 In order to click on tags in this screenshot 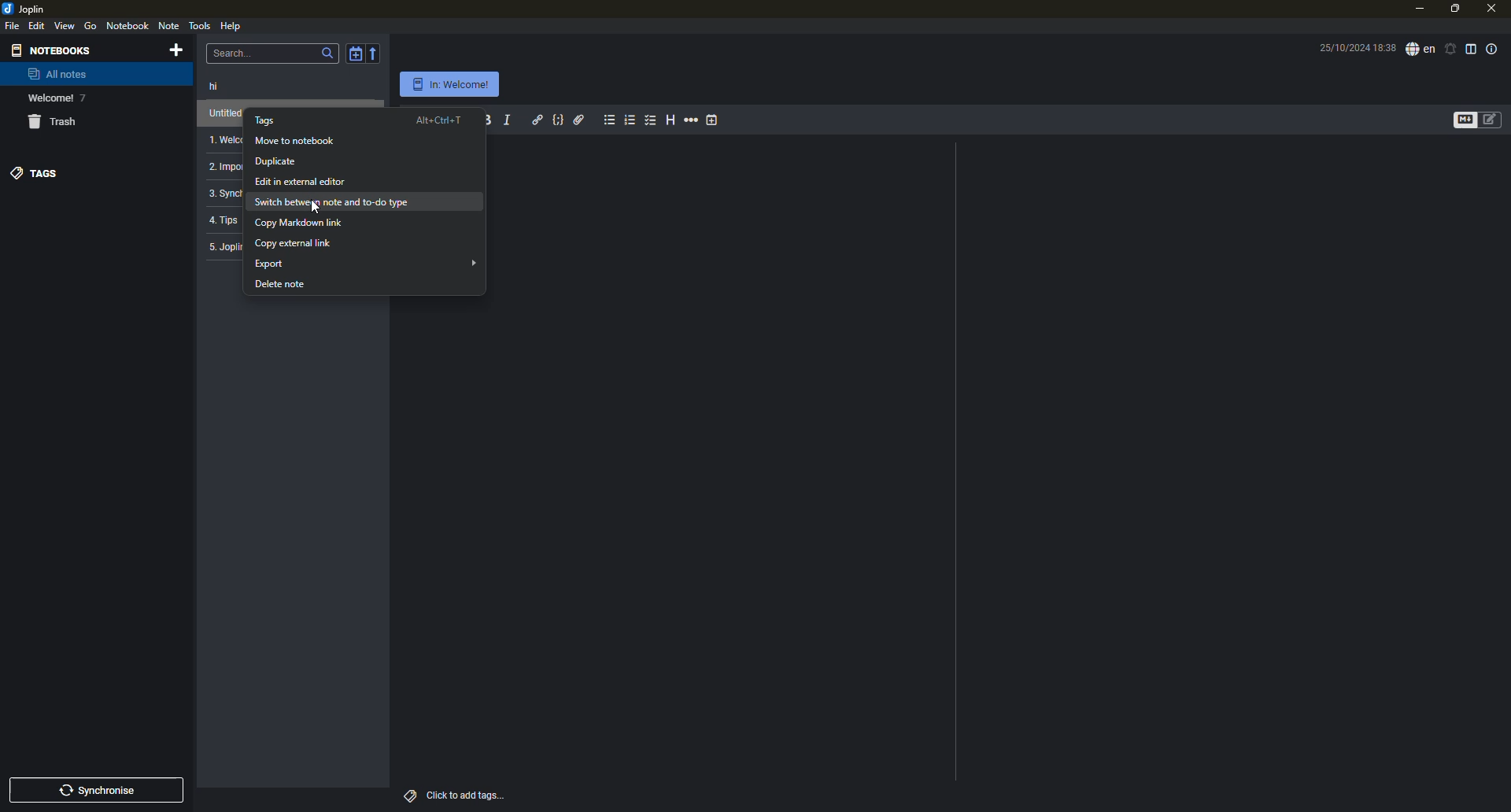, I will do `click(34, 172)`.